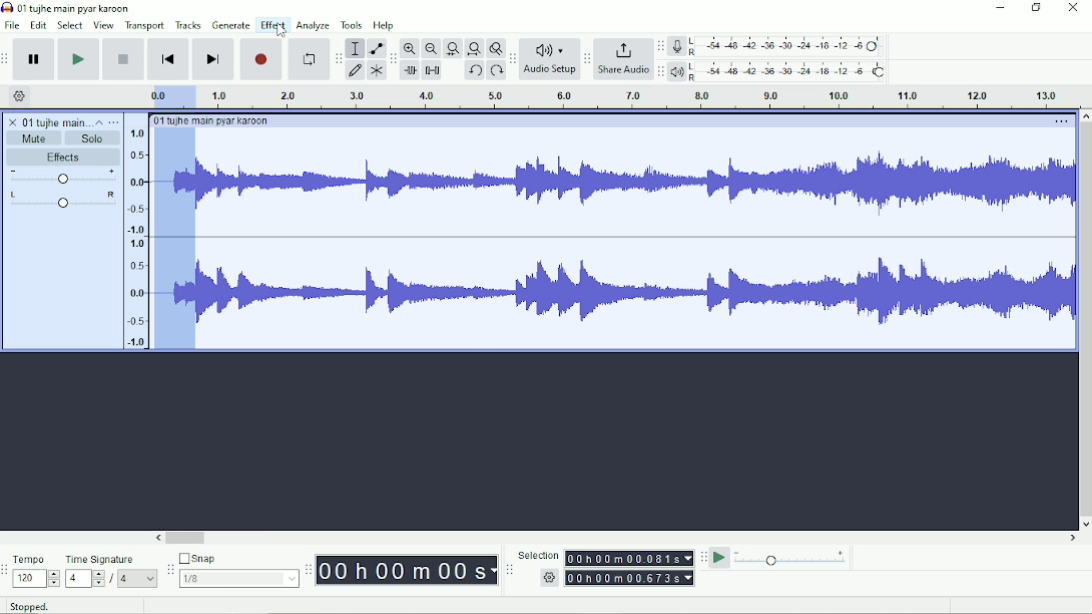 The width and height of the screenshot is (1092, 614). Describe the element at coordinates (507, 570) in the screenshot. I see `Audacity selection toolbar` at that location.